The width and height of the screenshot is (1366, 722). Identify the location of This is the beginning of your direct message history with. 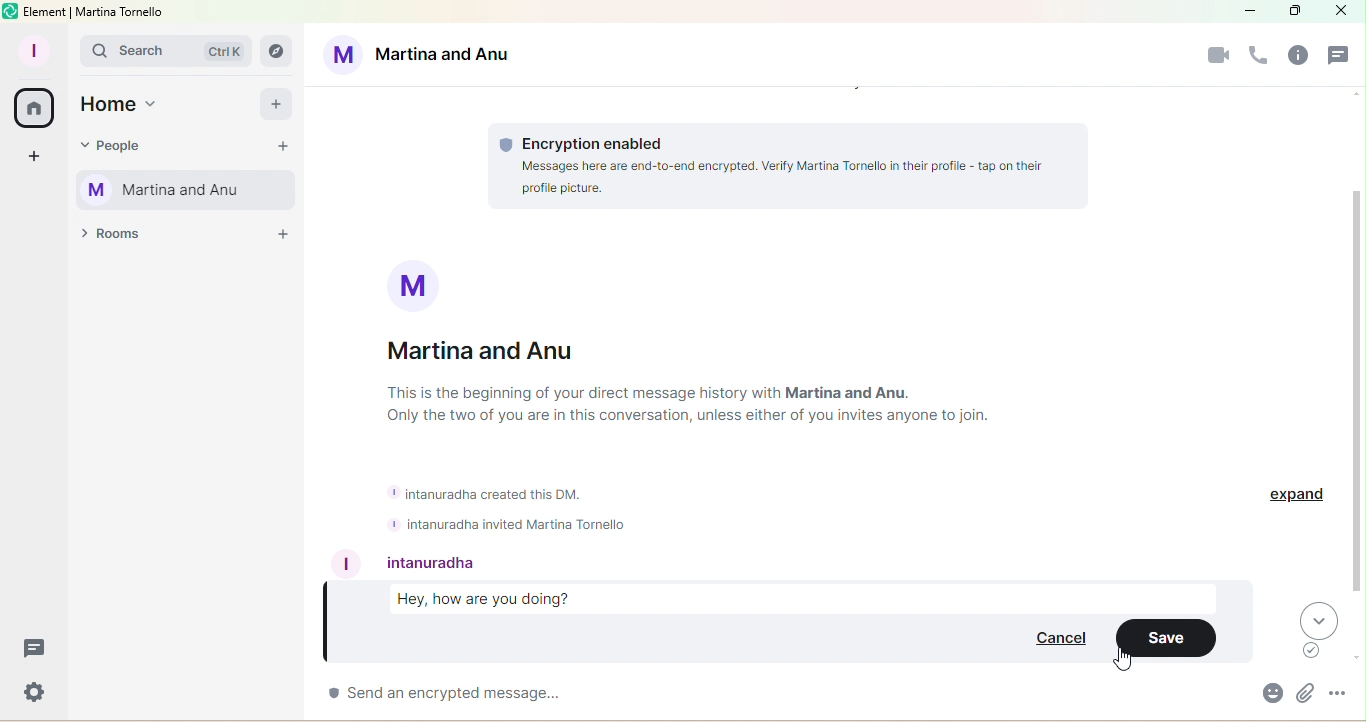
(584, 393).